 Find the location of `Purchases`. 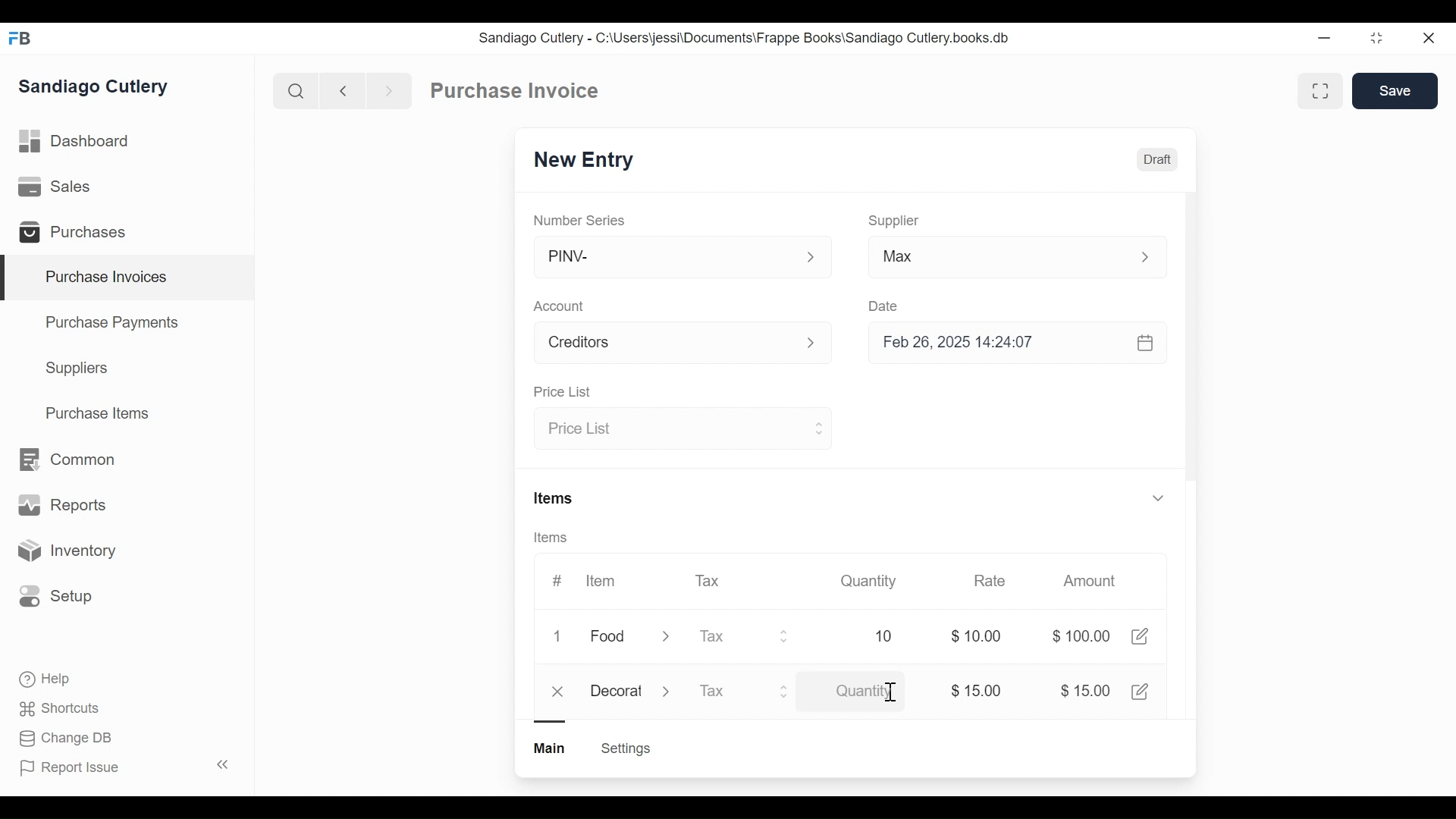

Purchases is located at coordinates (79, 234).